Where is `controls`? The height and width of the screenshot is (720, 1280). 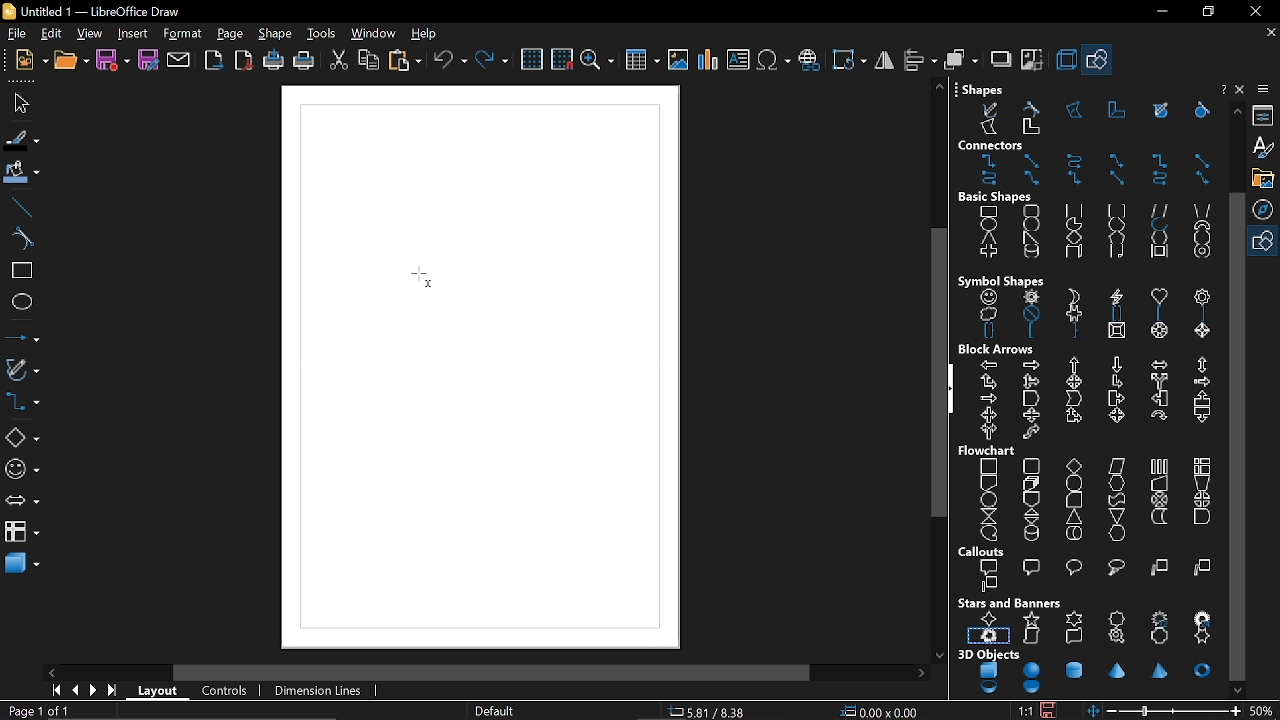
controls is located at coordinates (229, 691).